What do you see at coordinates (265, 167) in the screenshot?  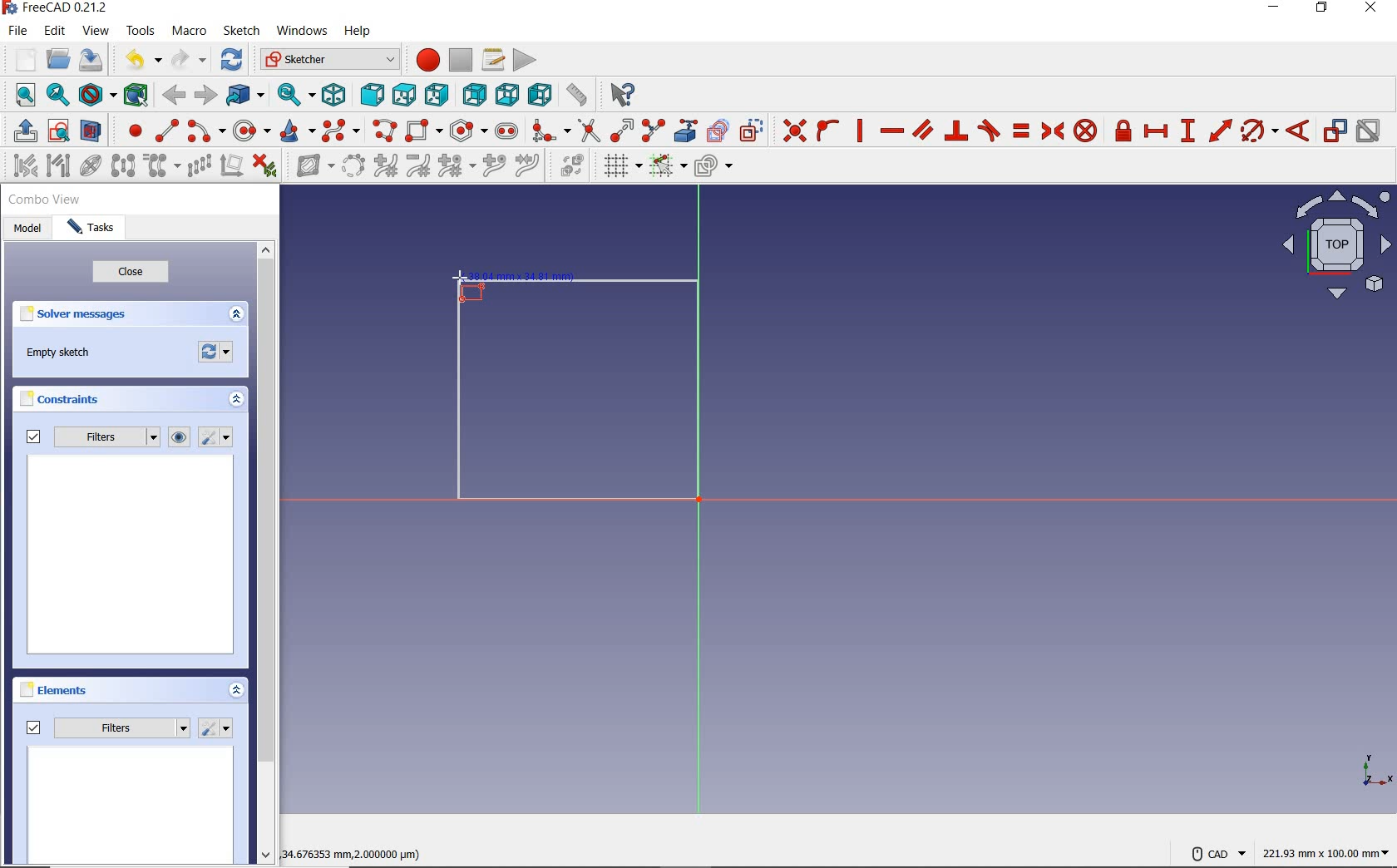 I see `delete all constrains` at bounding box center [265, 167].